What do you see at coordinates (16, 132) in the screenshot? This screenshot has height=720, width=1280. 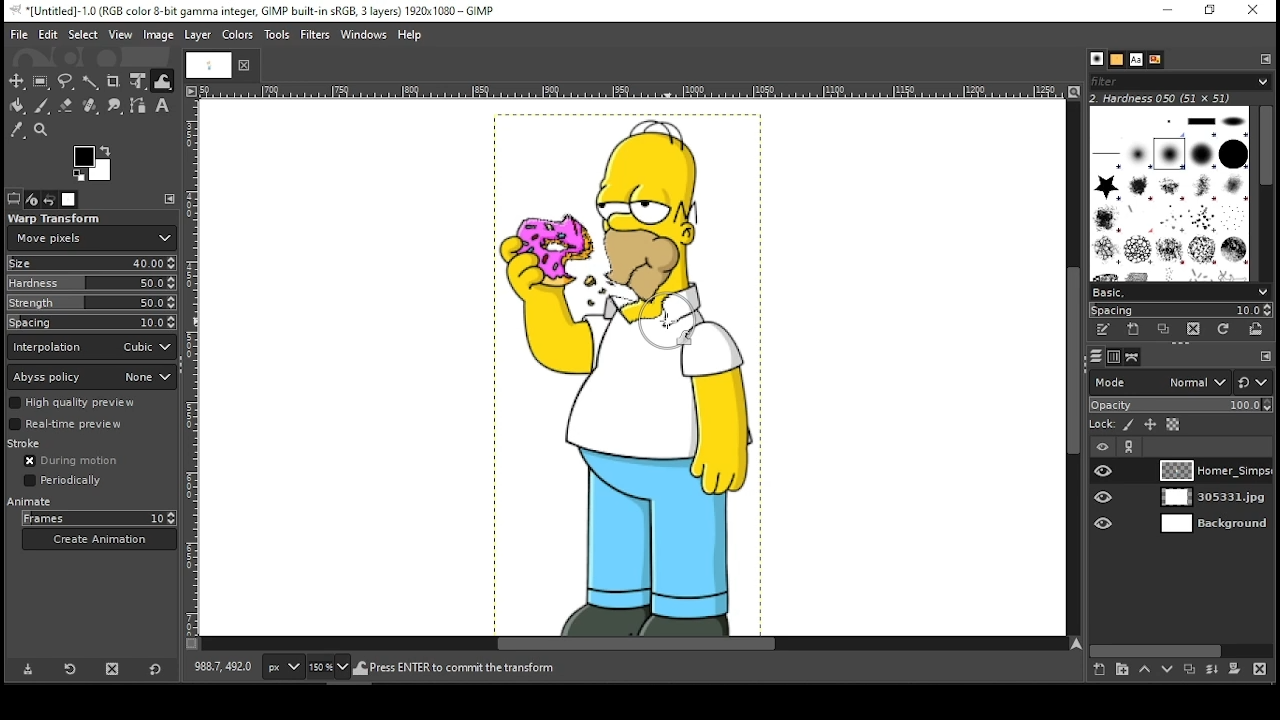 I see `color picker tool` at bounding box center [16, 132].